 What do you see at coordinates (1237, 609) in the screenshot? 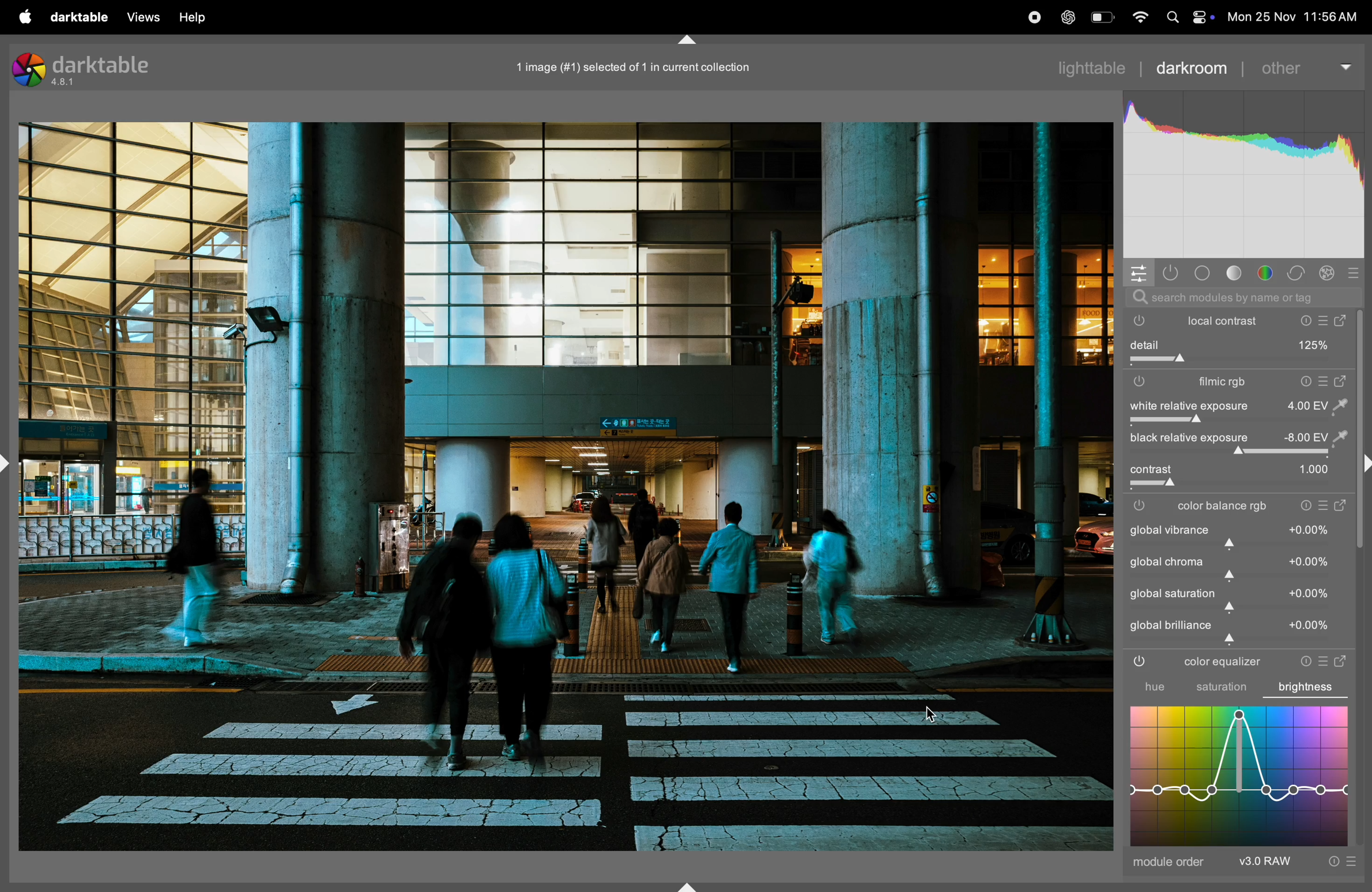
I see `slider` at bounding box center [1237, 609].